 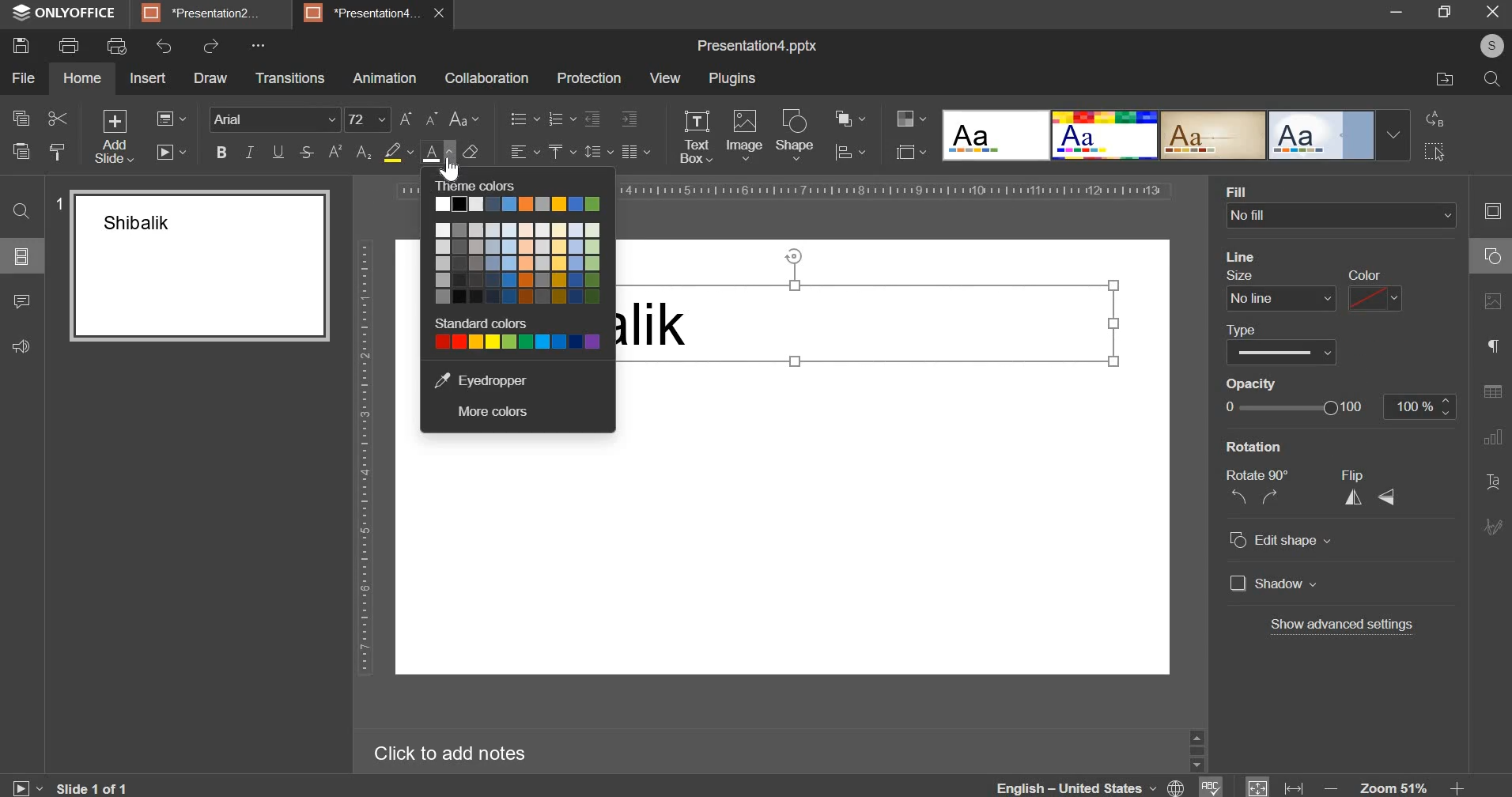 I want to click on vertical scale, so click(x=365, y=458).